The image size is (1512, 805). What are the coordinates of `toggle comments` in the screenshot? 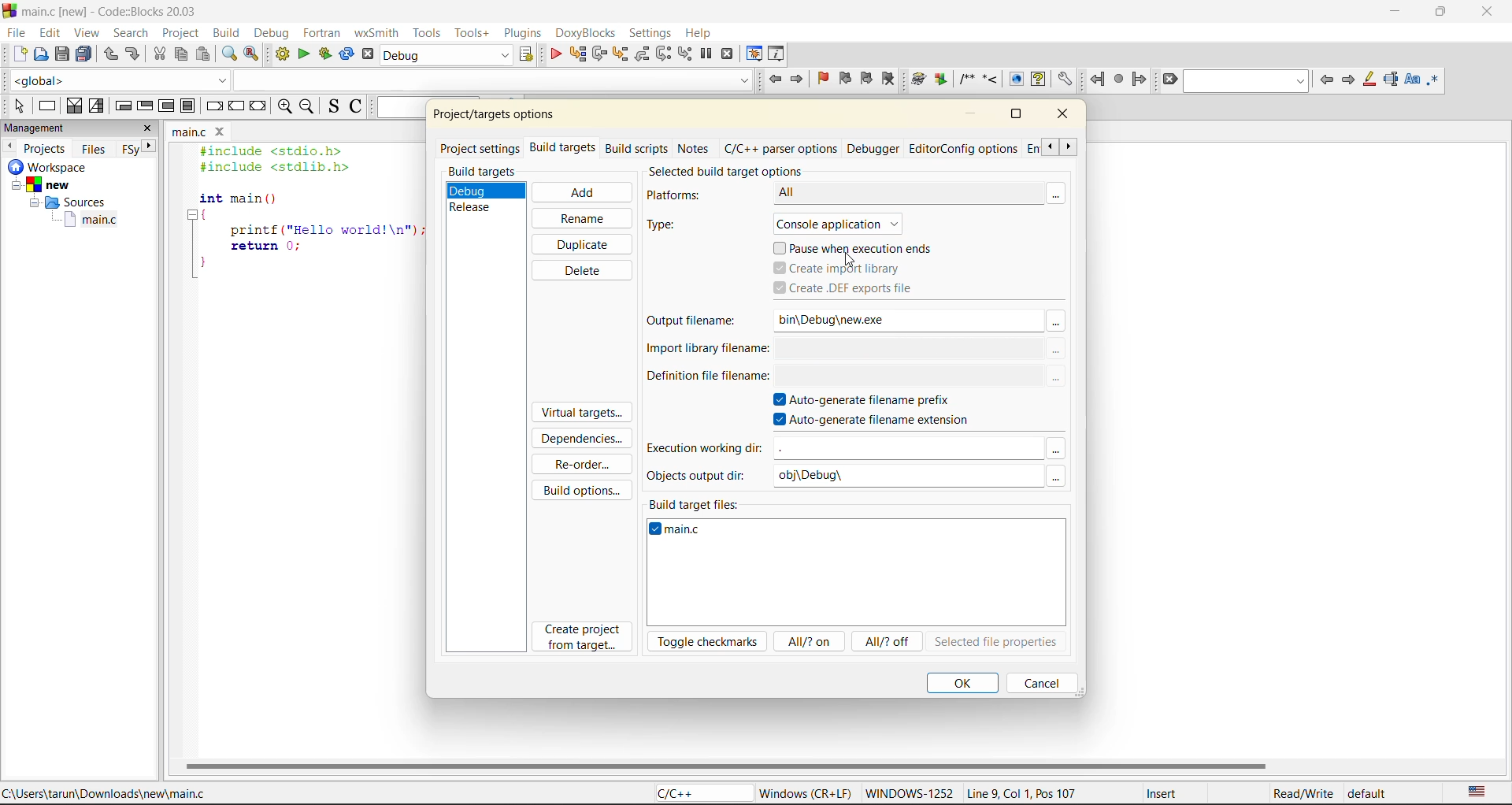 It's located at (355, 108).